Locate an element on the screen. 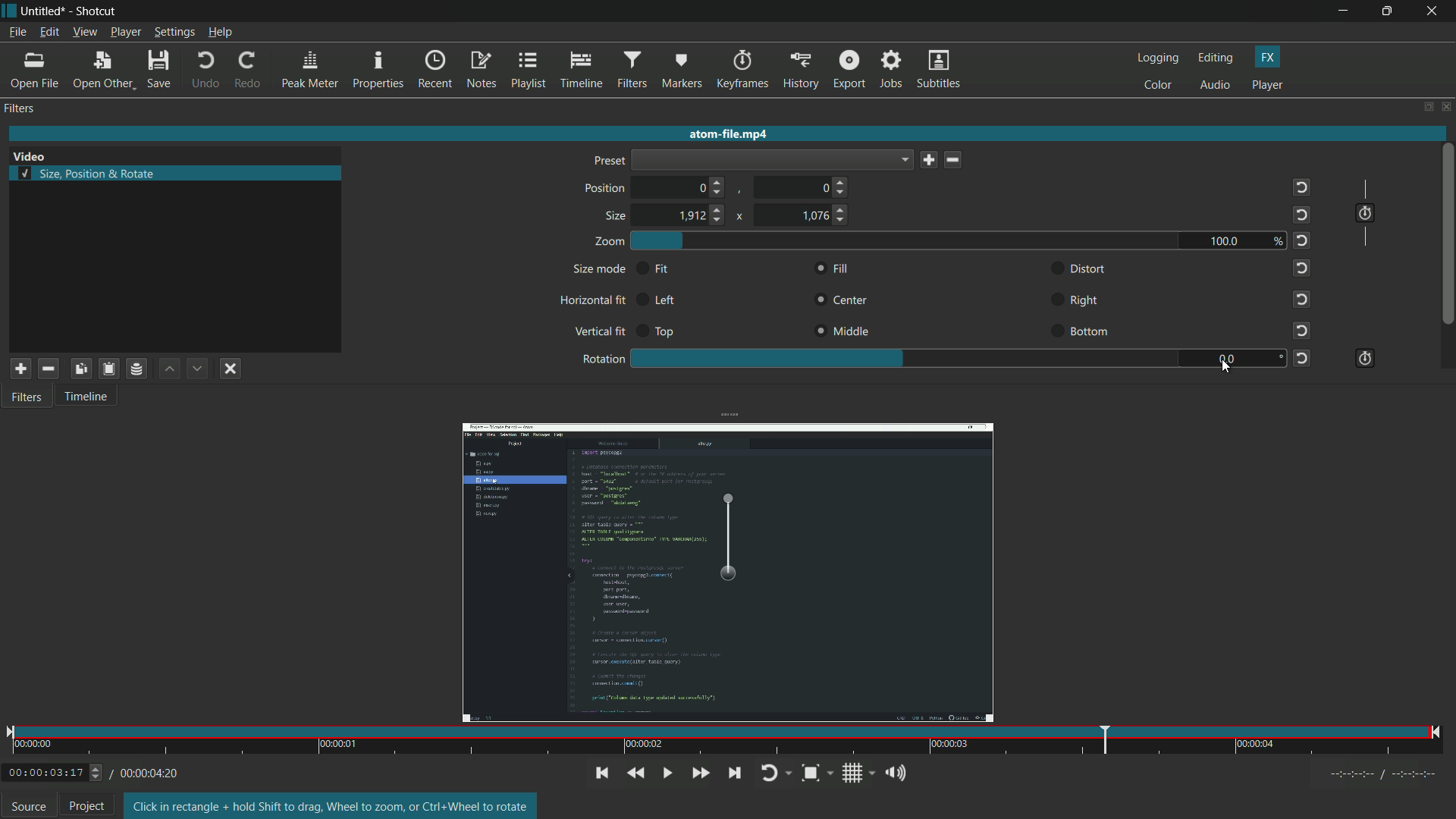 Image resolution: width=1456 pixels, height=819 pixels. x is located at coordinates (742, 217).